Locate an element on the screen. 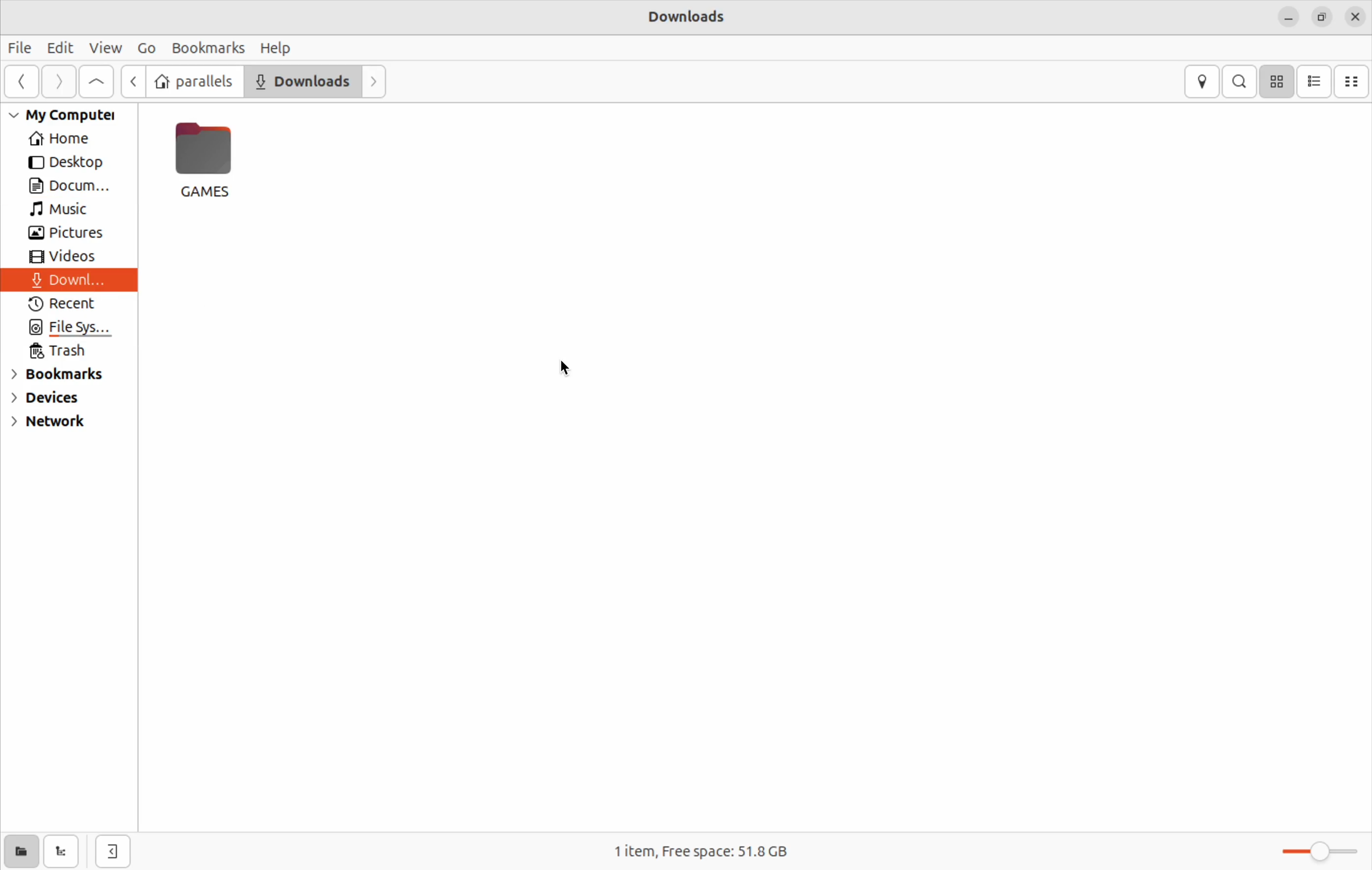  recent is located at coordinates (64, 306).